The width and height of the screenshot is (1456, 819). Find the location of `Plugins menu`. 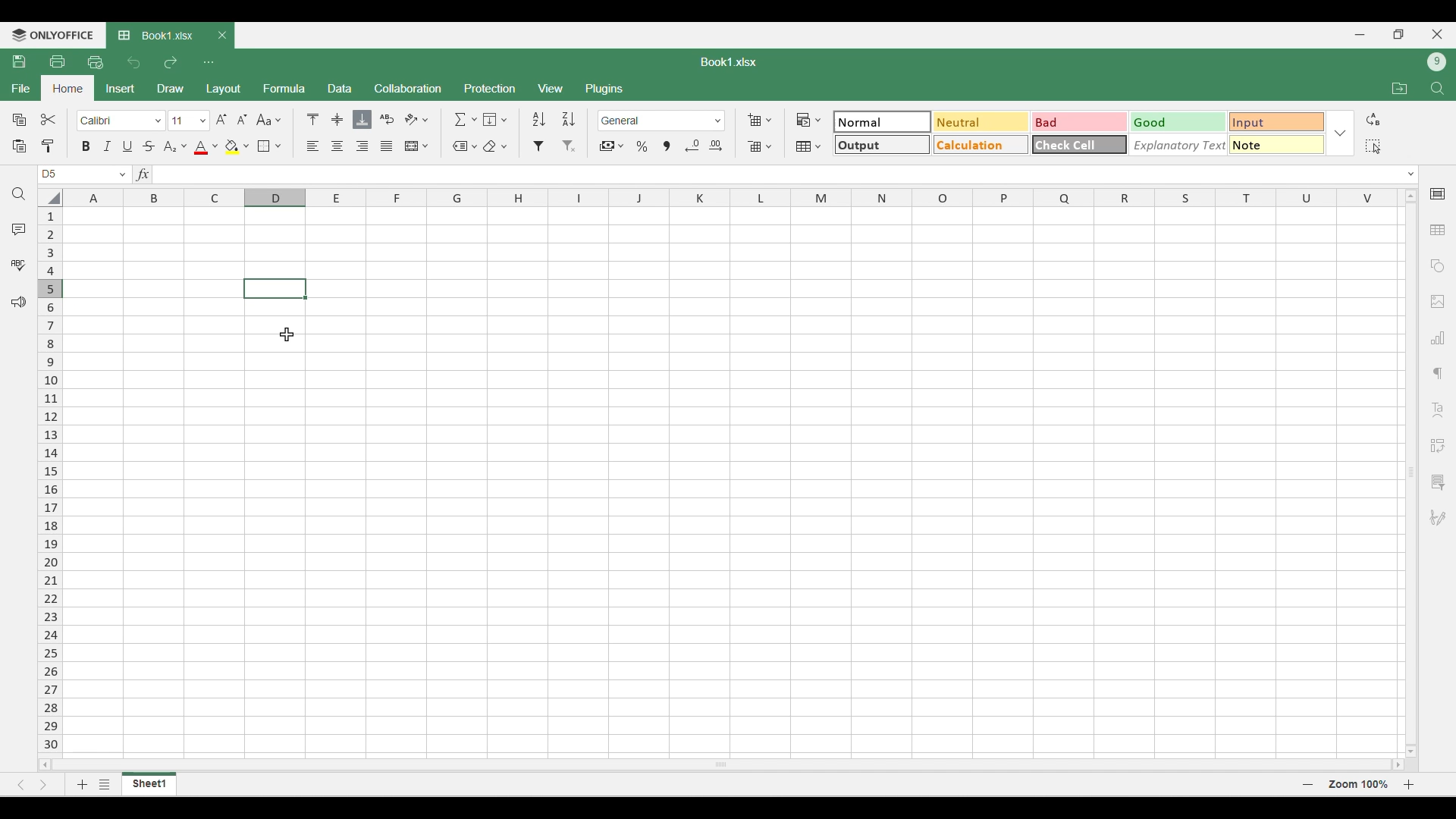

Plugins menu is located at coordinates (606, 89).